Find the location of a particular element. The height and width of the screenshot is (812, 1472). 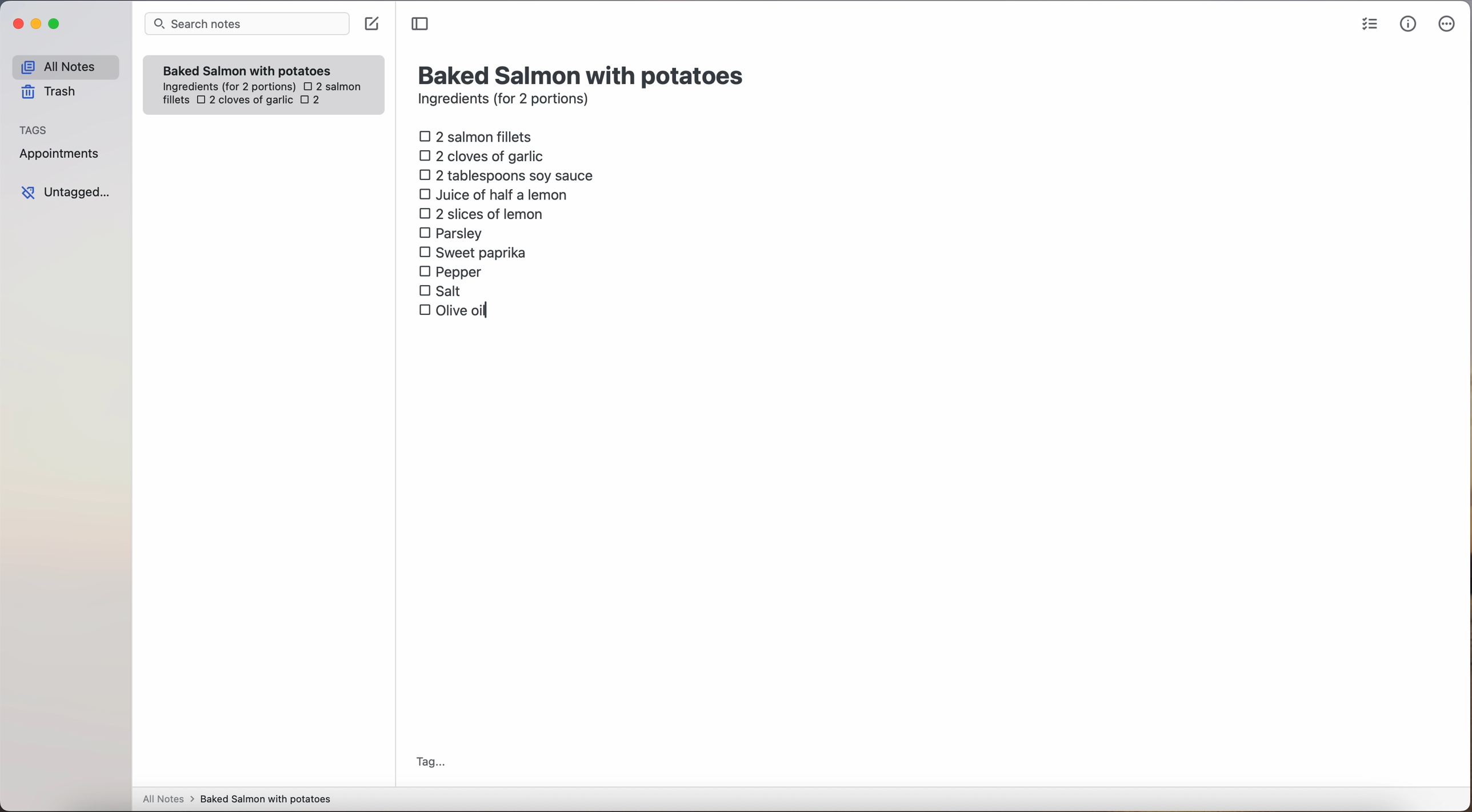

close Simplenote is located at coordinates (17, 25).